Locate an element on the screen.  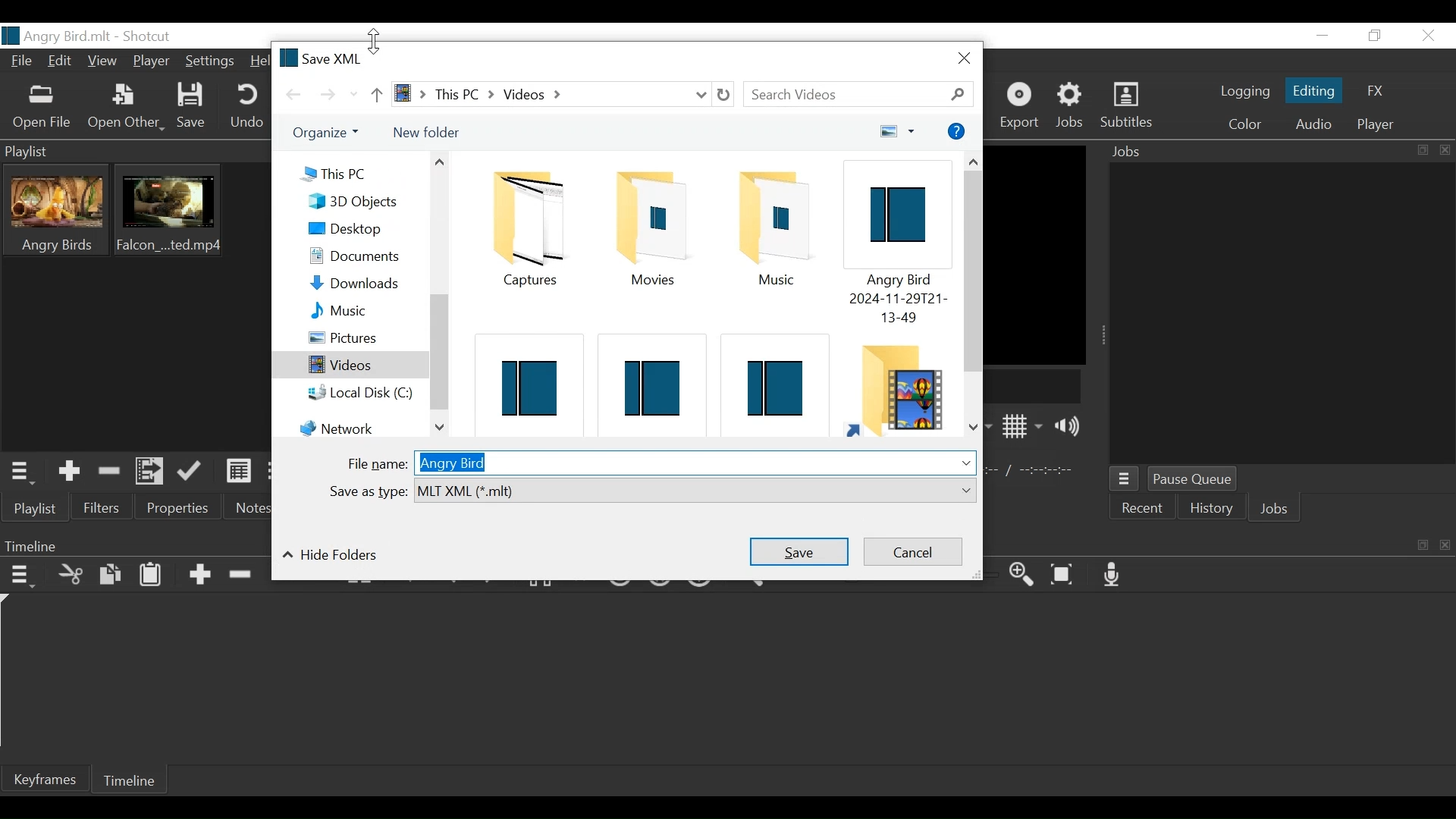
Restore is located at coordinates (1373, 36).